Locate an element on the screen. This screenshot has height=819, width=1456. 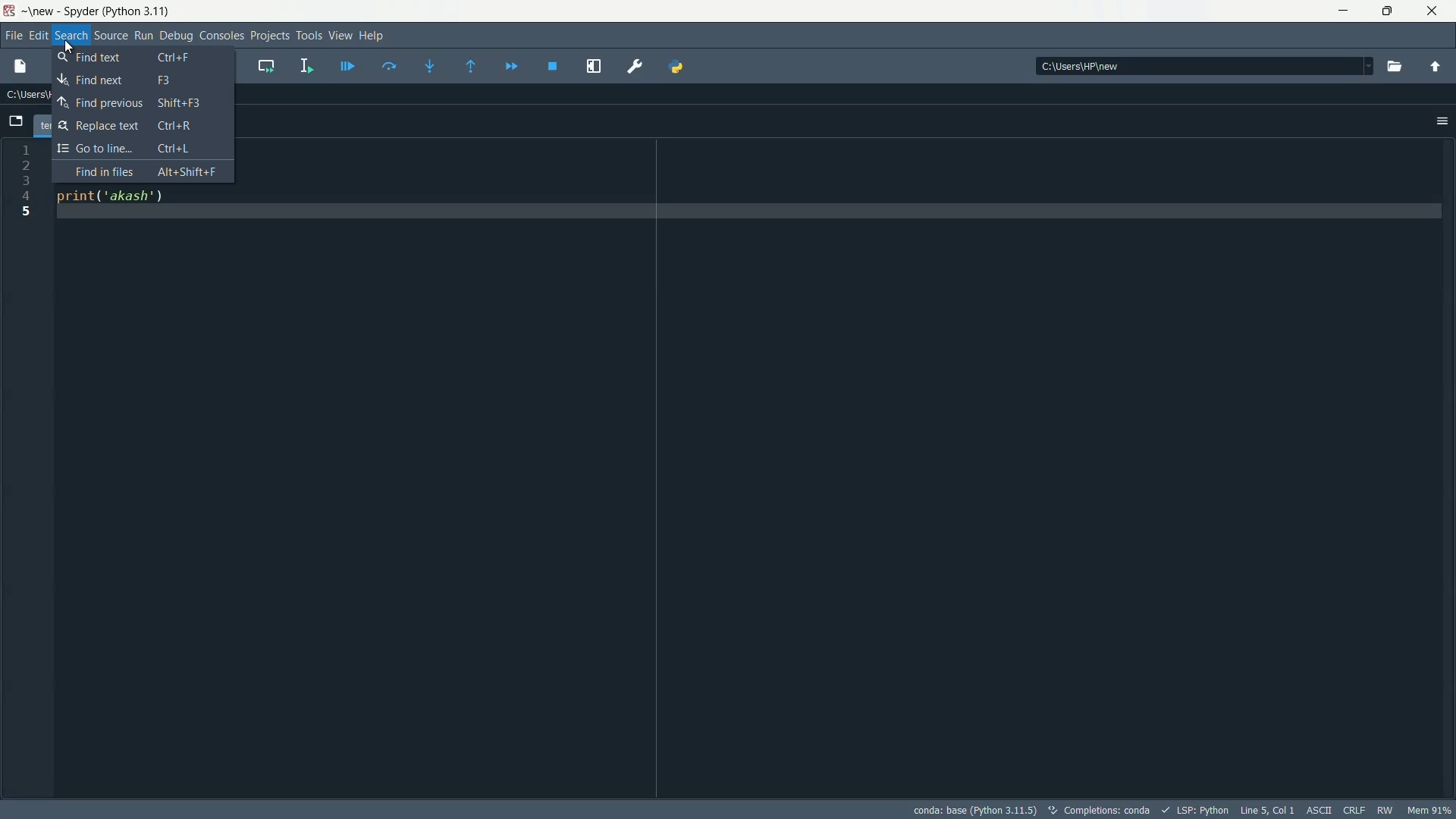
new is located at coordinates (43, 12).